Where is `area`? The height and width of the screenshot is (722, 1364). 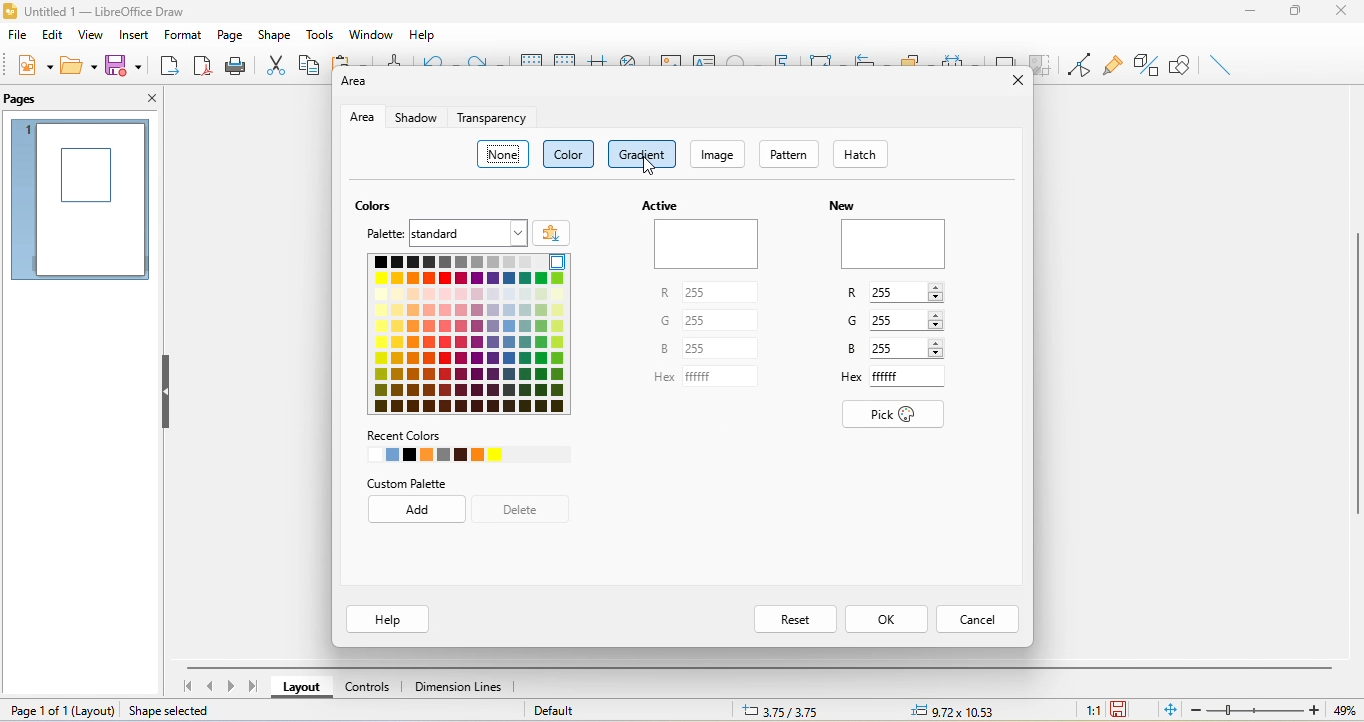 area is located at coordinates (358, 85).